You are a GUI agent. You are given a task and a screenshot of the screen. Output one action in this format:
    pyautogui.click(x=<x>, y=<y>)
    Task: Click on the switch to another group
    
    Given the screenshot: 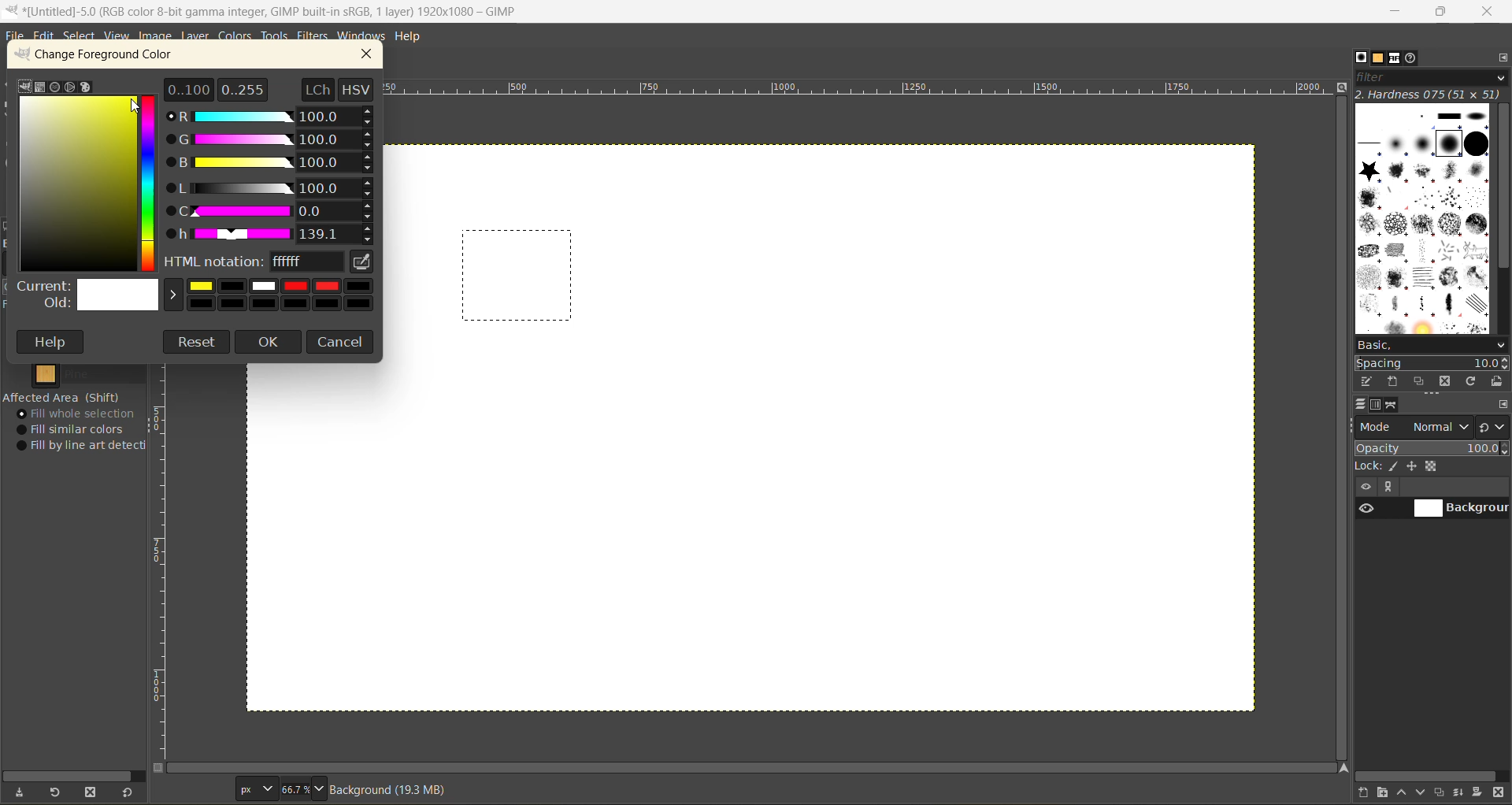 What is the action you would take?
    pyautogui.click(x=1494, y=426)
    